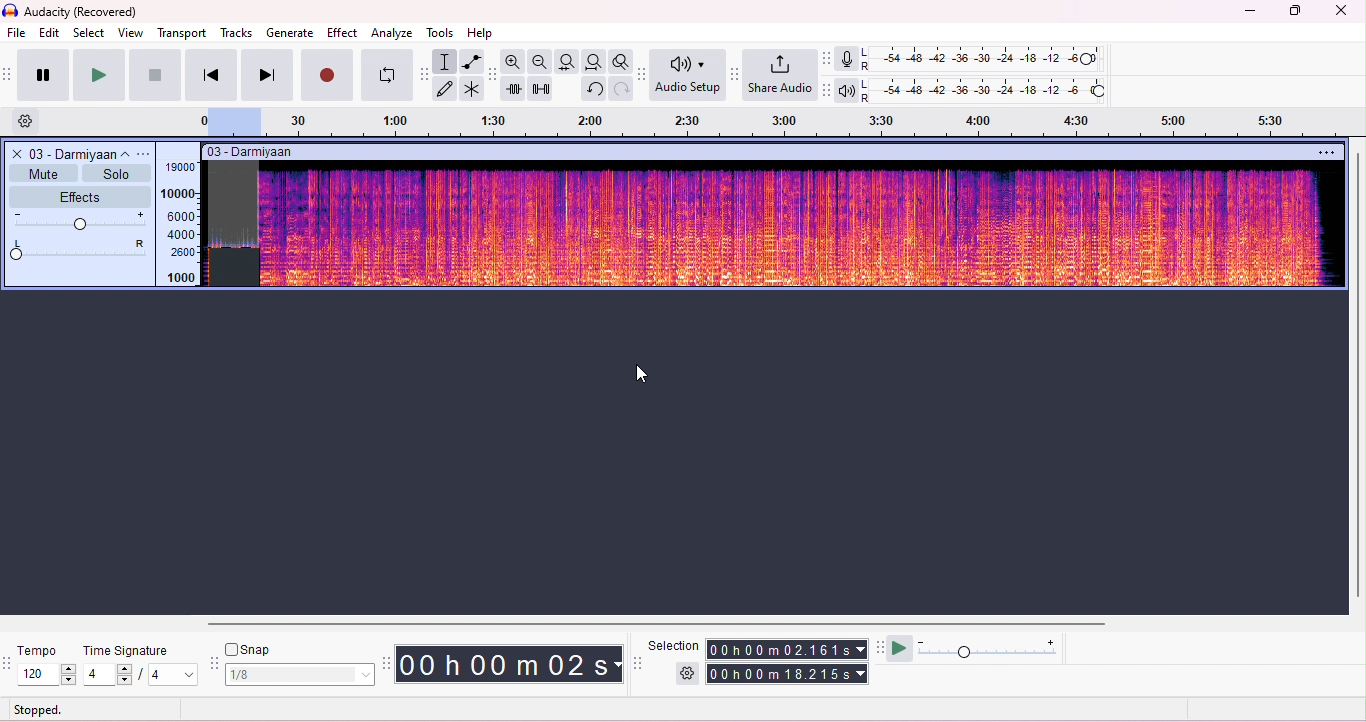 The width and height of the screenshot is (1366, 722). What do you see at coordinates (879, 646) in the screenshot?
I see `play at speed tool bar` at bounding box center [879, 646].